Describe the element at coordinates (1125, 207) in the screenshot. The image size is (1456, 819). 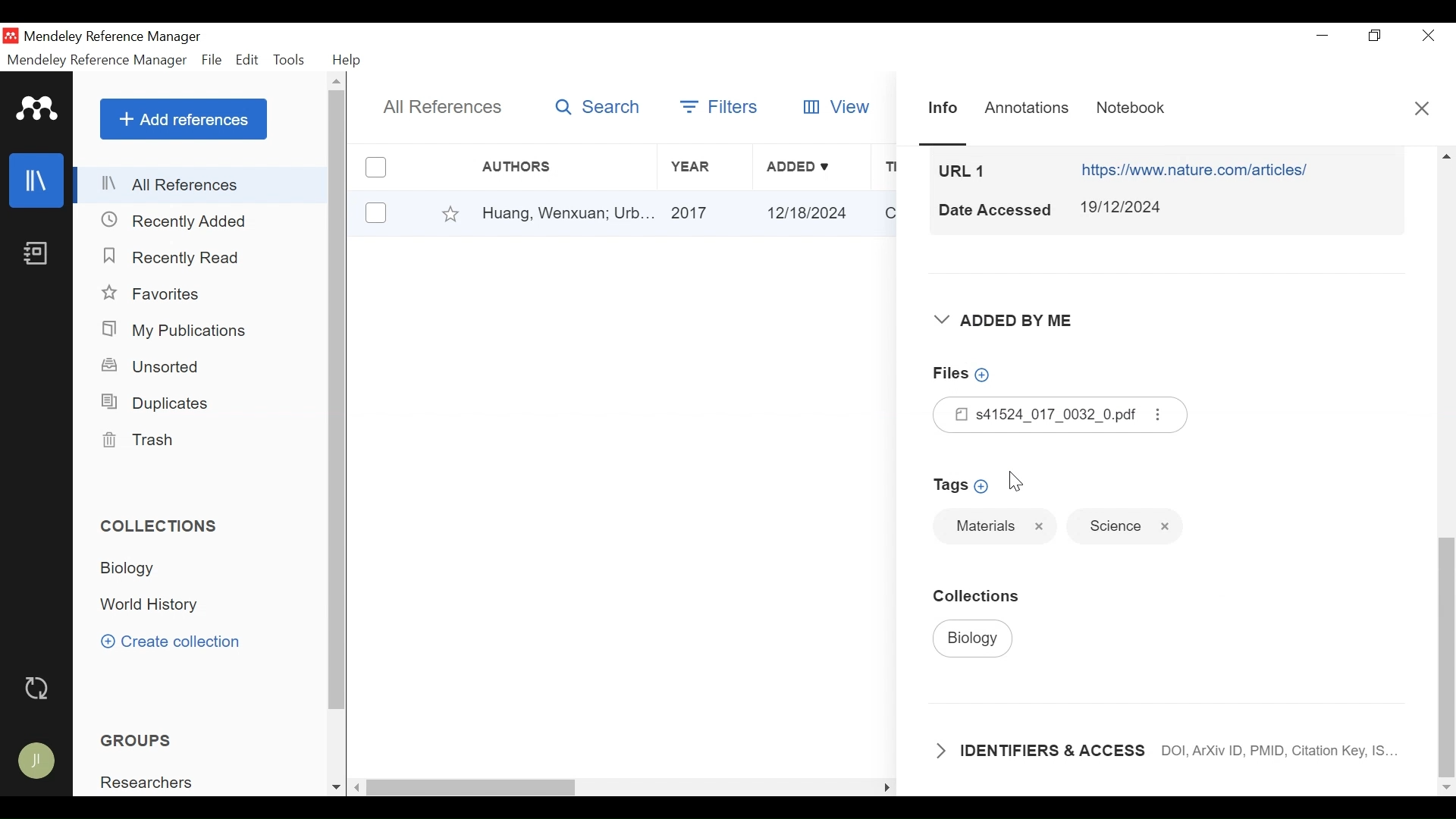
I see `19/12/2024` at that location.